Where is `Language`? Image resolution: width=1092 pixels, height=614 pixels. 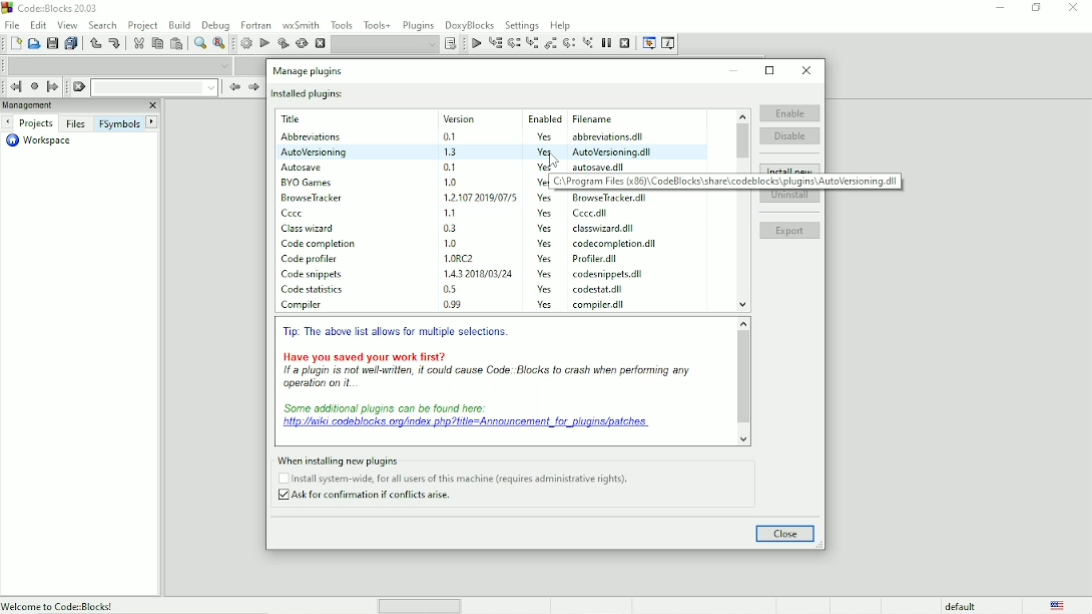
Language is located at coordinates (1059, 606).